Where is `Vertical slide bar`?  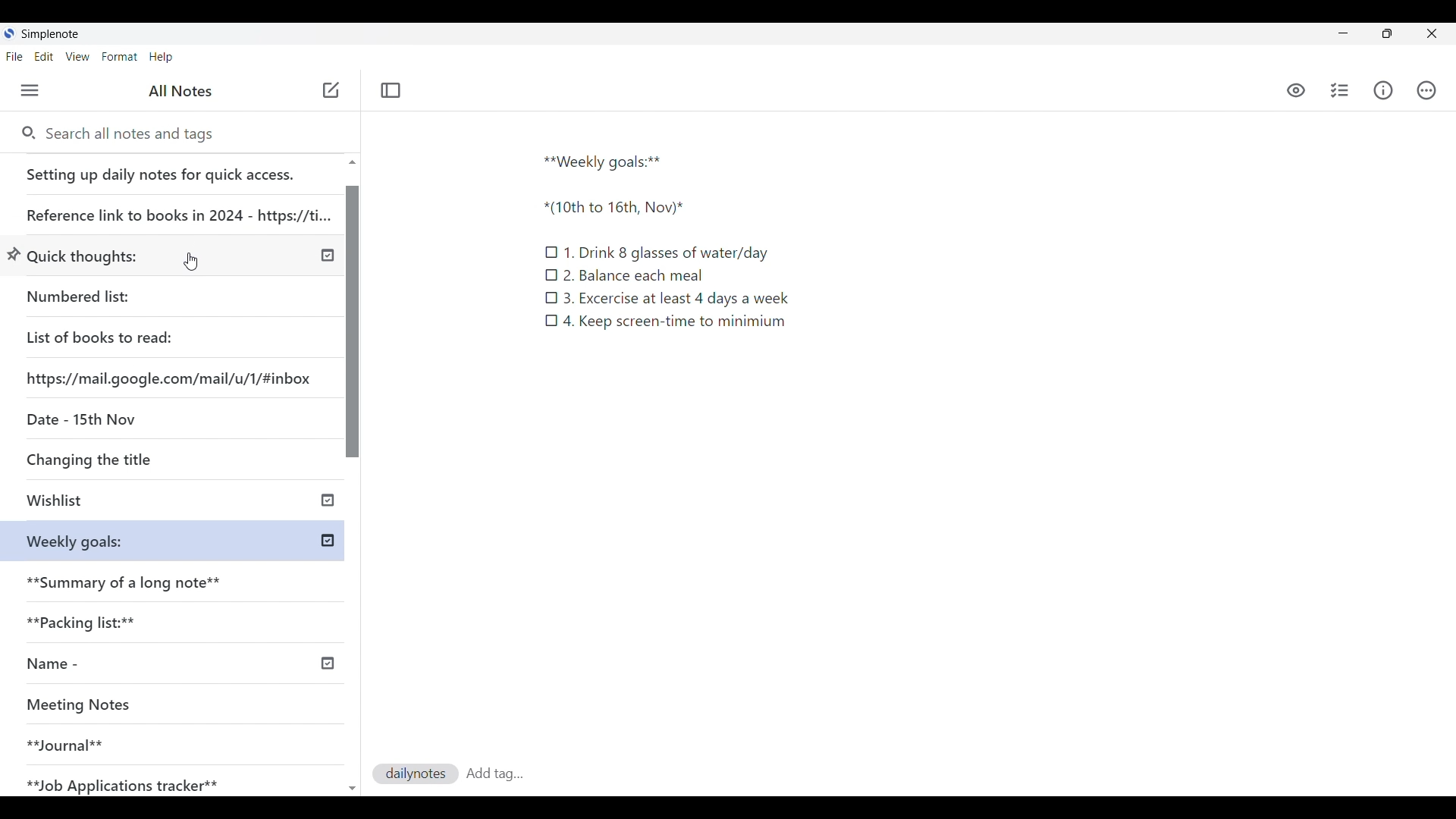
Vertical slide bar is located at coordinates (354, 482).